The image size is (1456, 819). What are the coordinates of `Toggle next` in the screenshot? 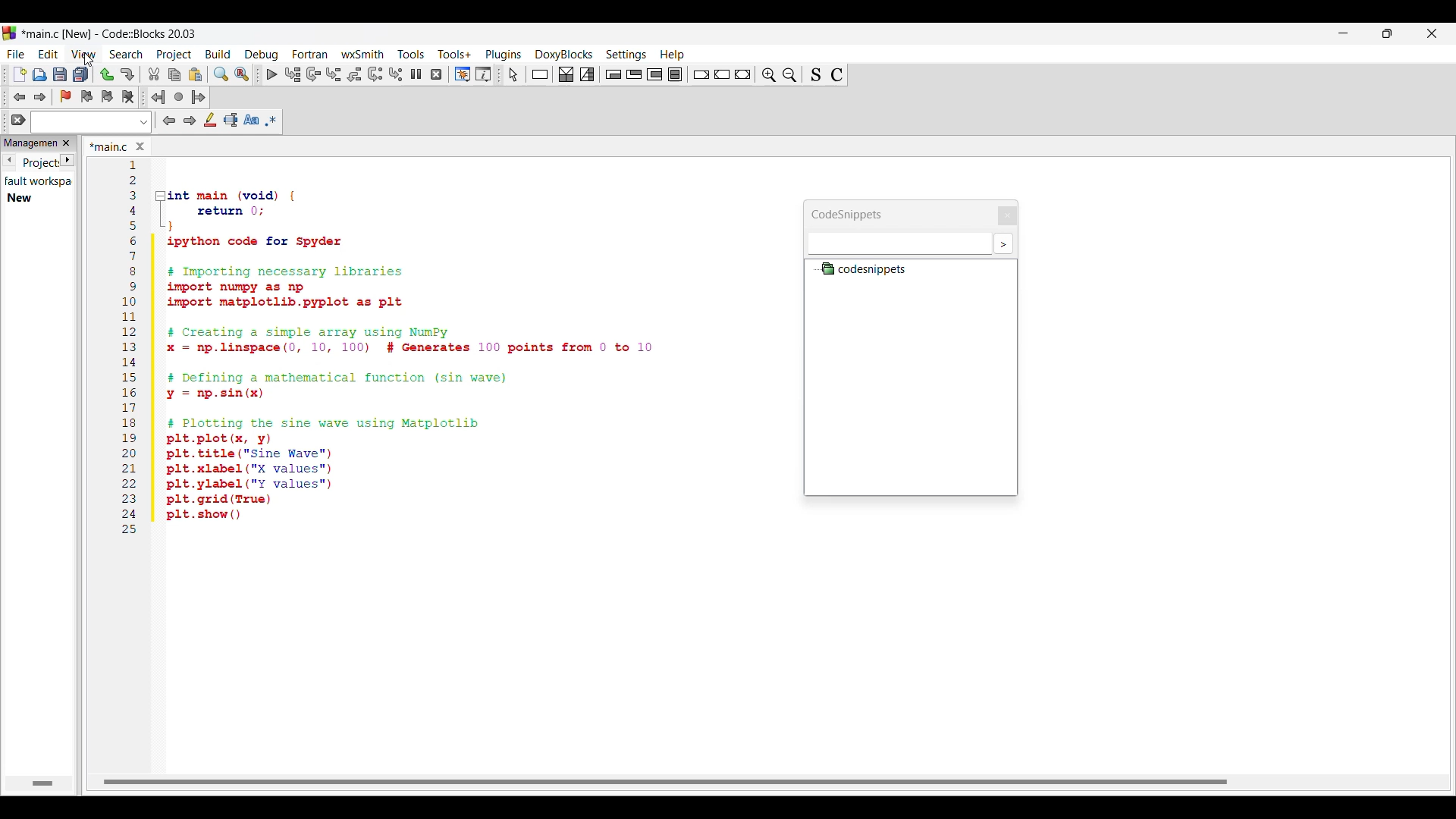 It's located at (107, 97).